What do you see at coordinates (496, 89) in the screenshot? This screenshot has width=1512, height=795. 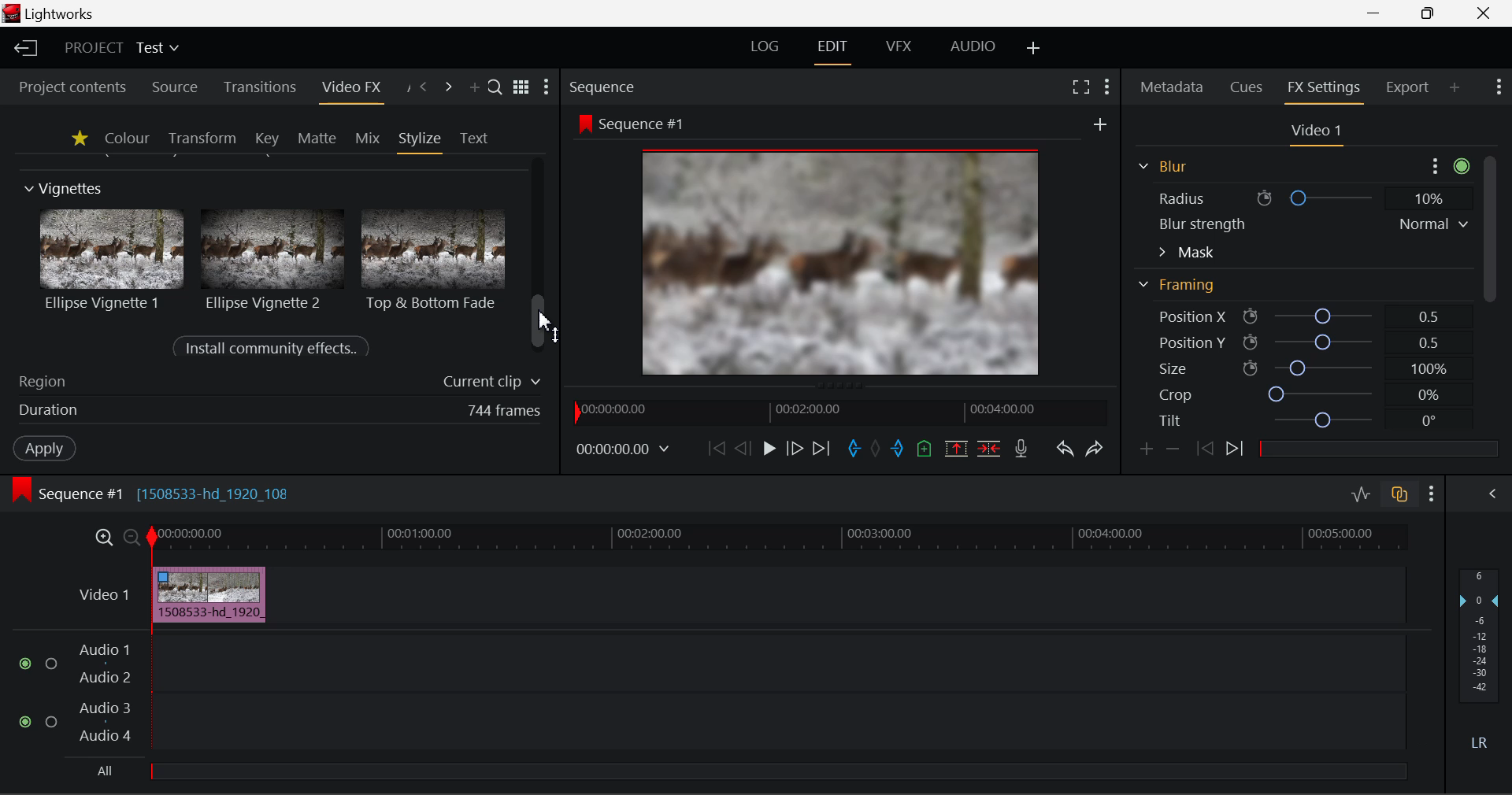 I see `Search` at bounding box center [496, 89].